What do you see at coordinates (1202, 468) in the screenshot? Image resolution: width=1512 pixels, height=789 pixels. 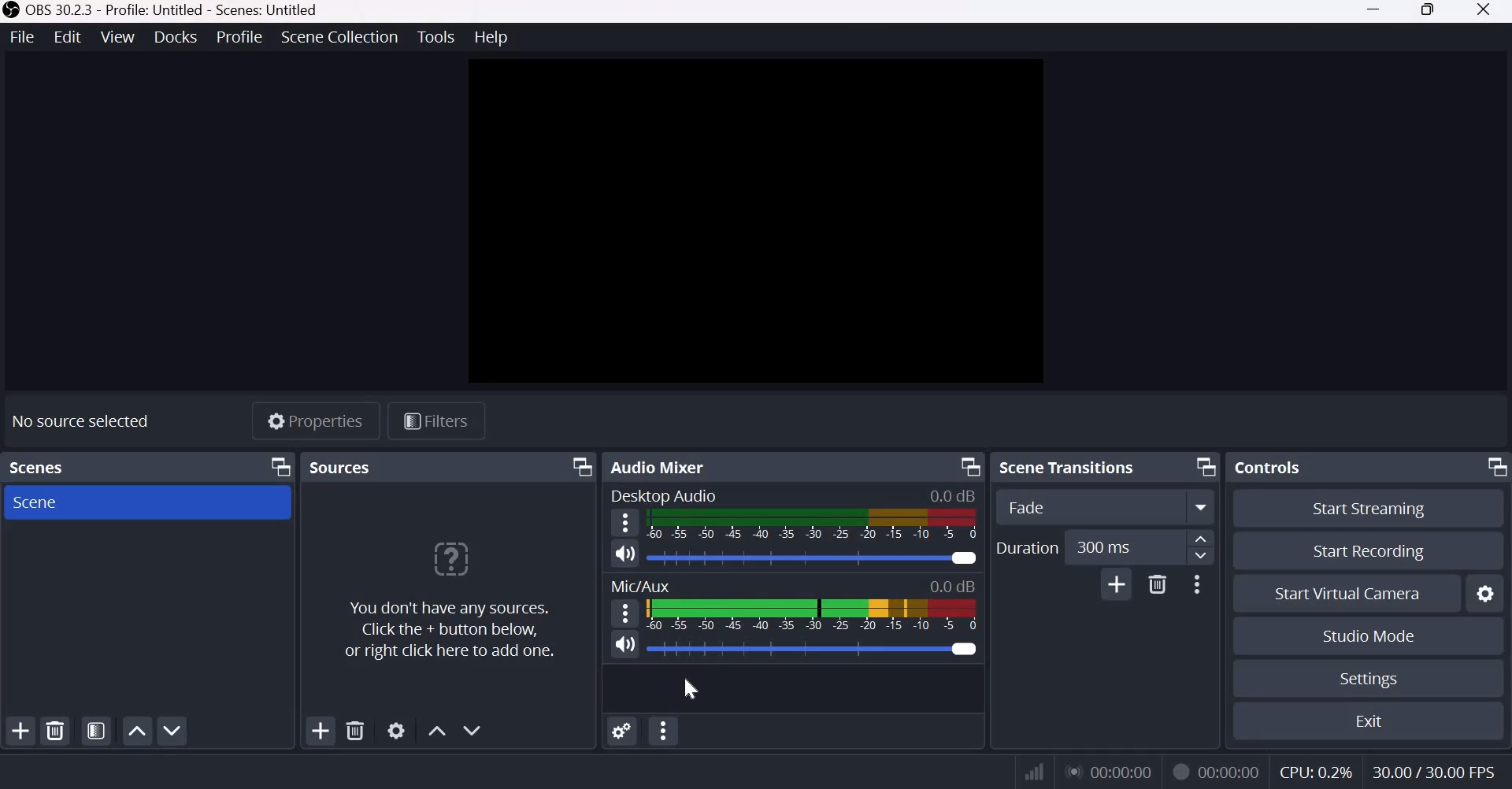 I see `Dock Options icon` at bounding box center [1202, 468].